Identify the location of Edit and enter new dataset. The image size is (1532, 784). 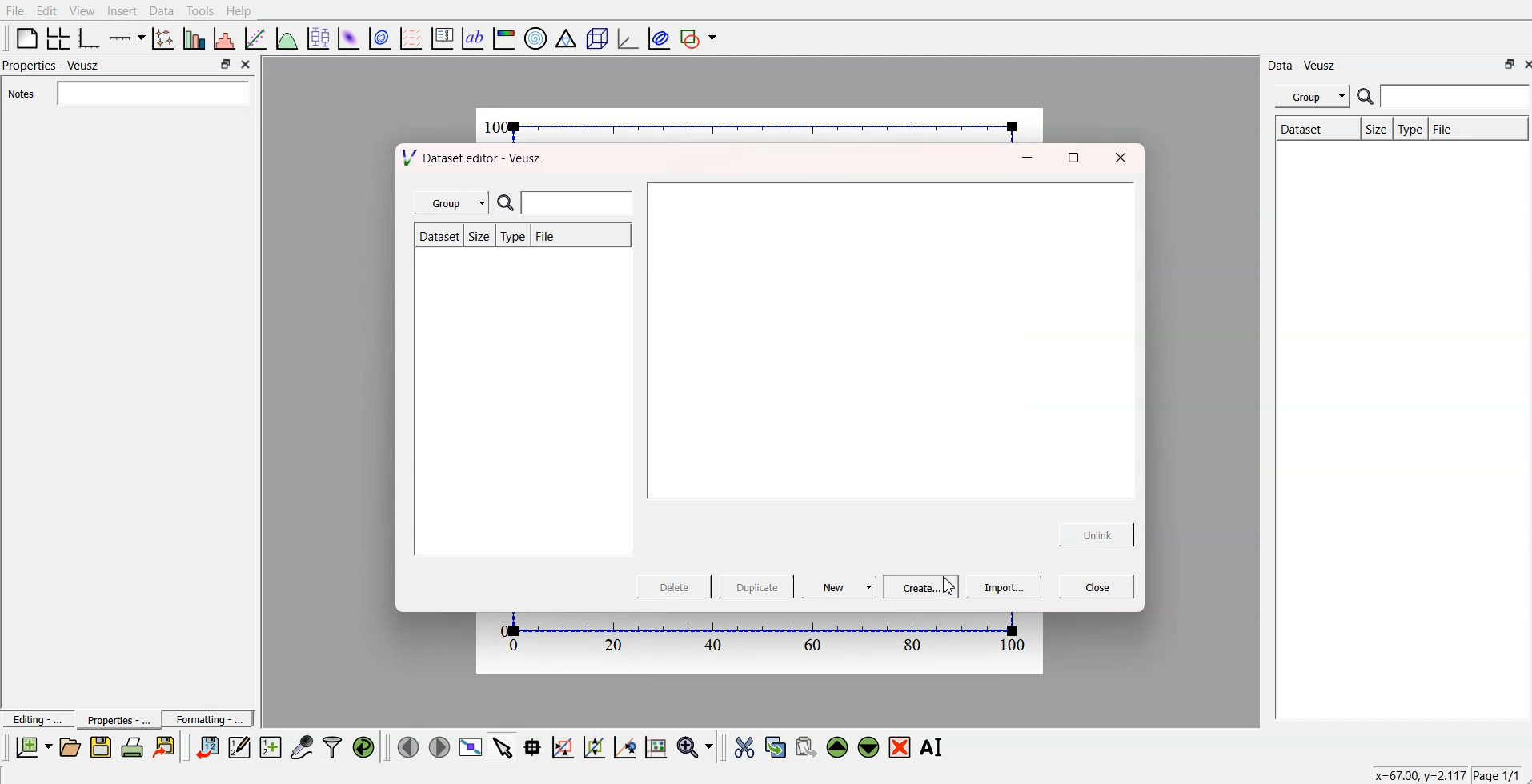
(237, 747).